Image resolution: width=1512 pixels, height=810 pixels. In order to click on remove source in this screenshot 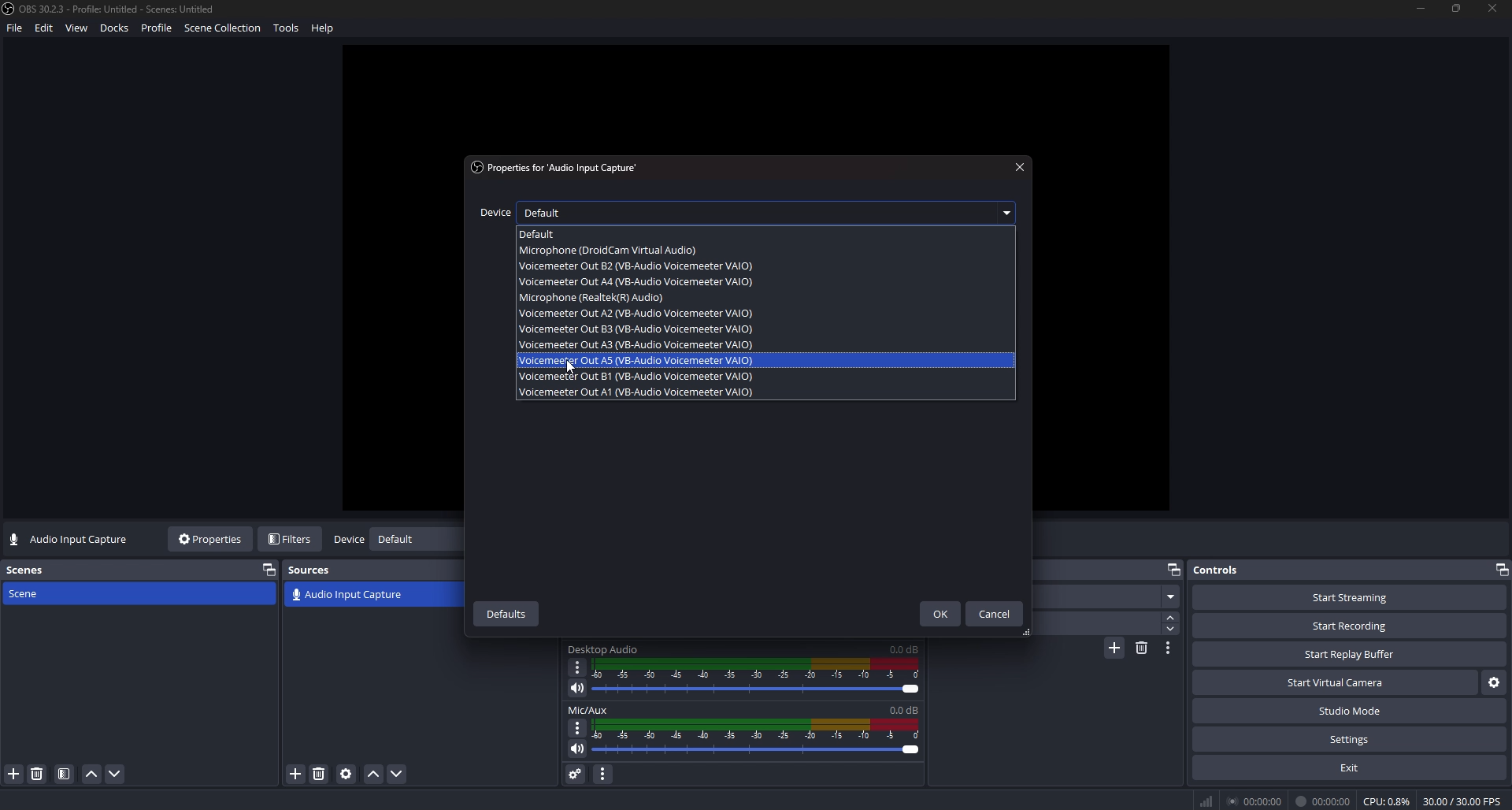, I will do `click(319, 774)`.